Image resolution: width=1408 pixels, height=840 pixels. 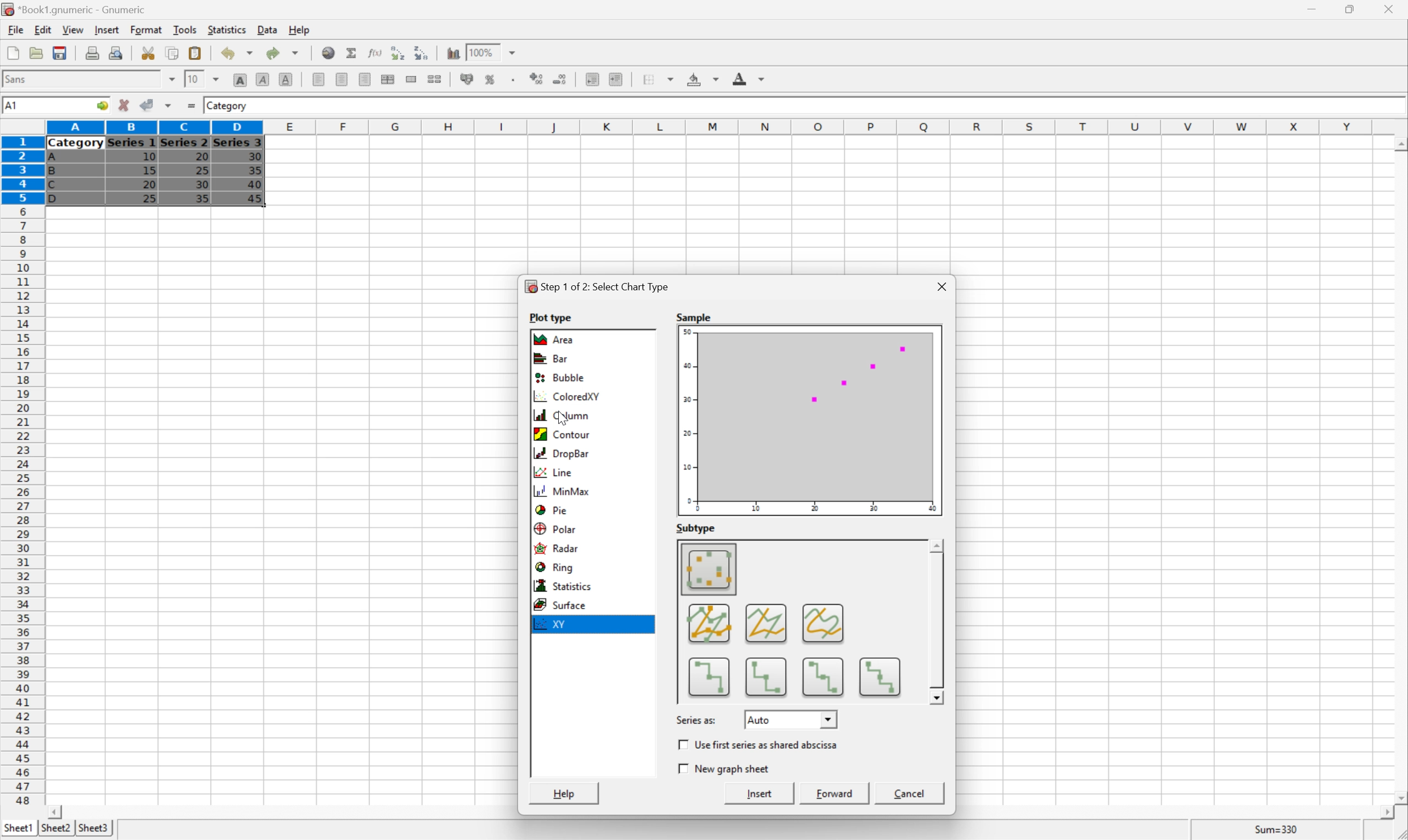 What do you see at coordinates (1399, 799) in the screenshot?
I see `Scroll Down` at bounding box center [1399, 799].